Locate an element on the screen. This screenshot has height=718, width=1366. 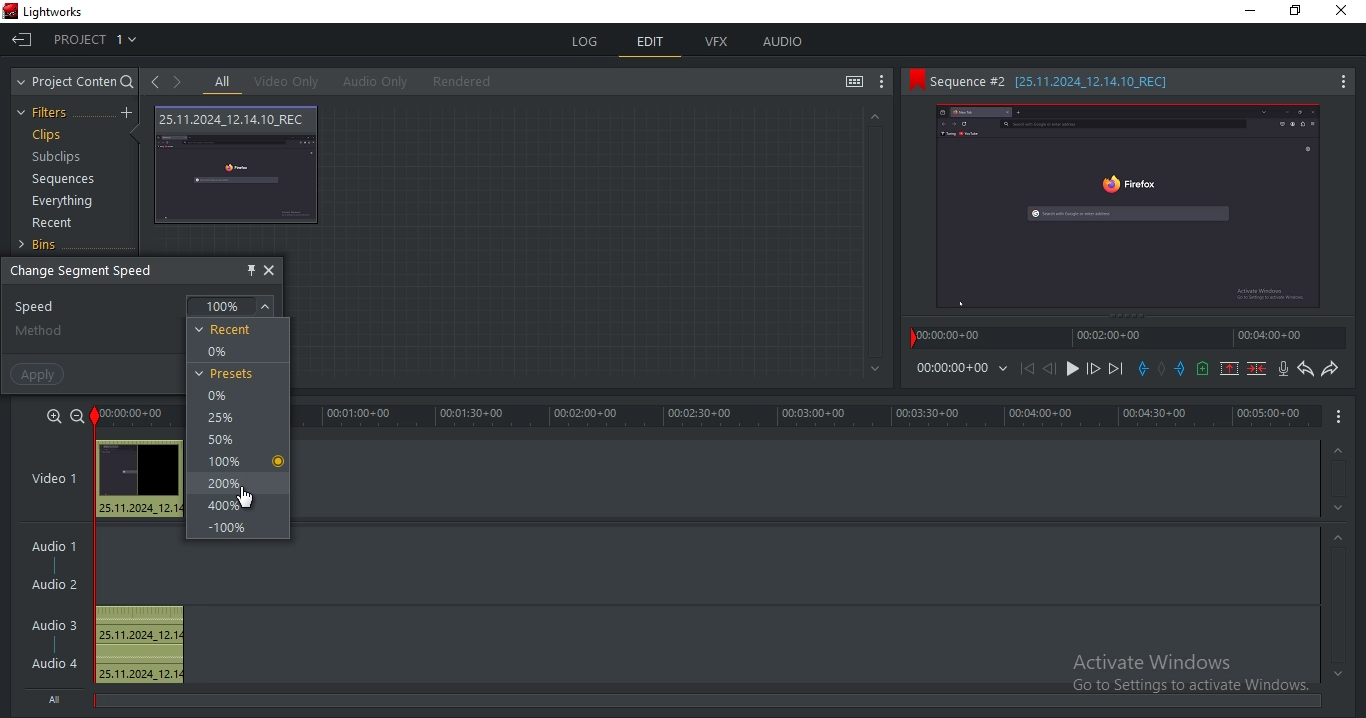
time is located at coordinates (964, 371).